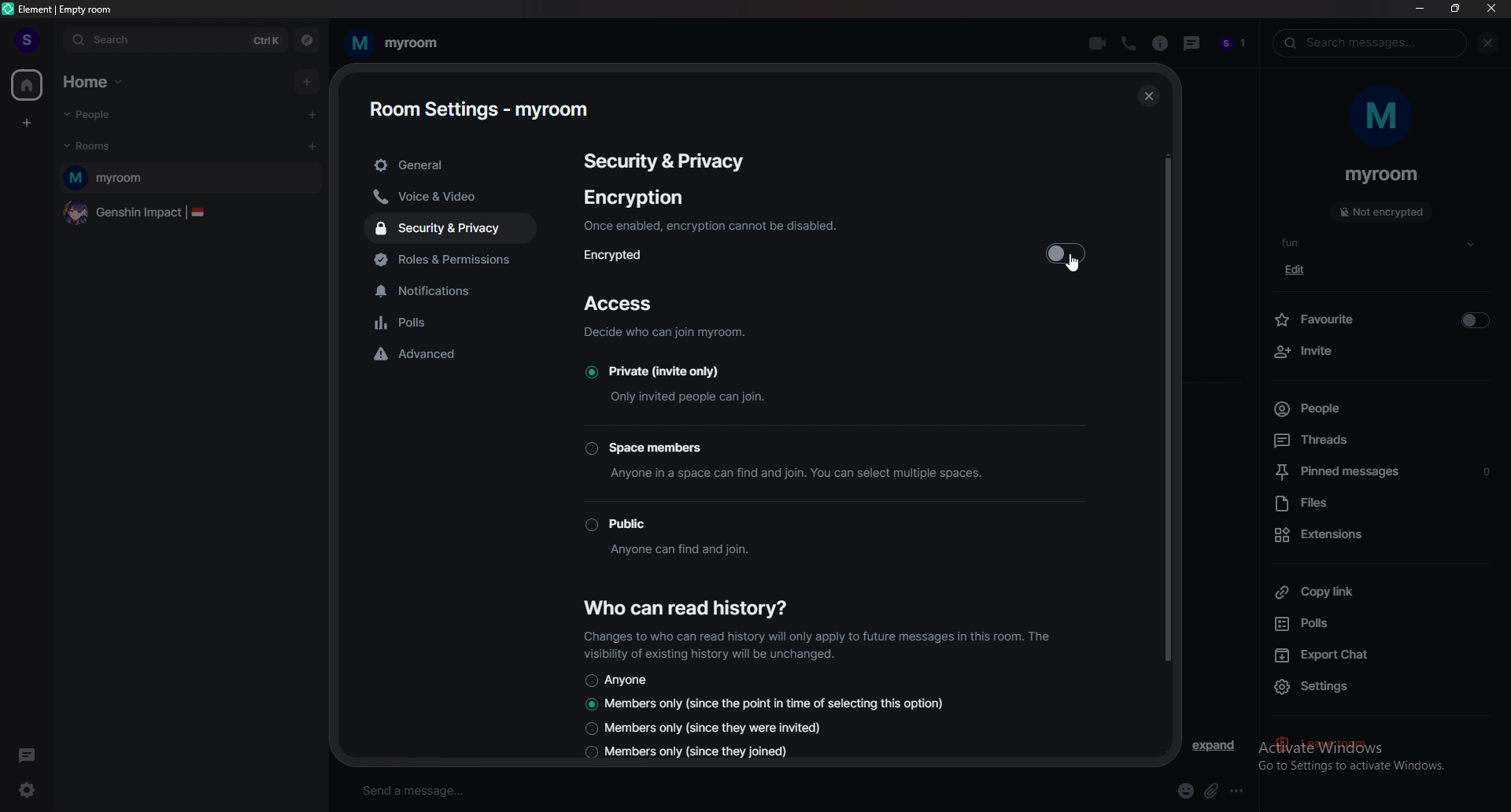  What do you see at coordinates (106, 113) in the screenshot?
I see `people` at bounding box center [106, 113].